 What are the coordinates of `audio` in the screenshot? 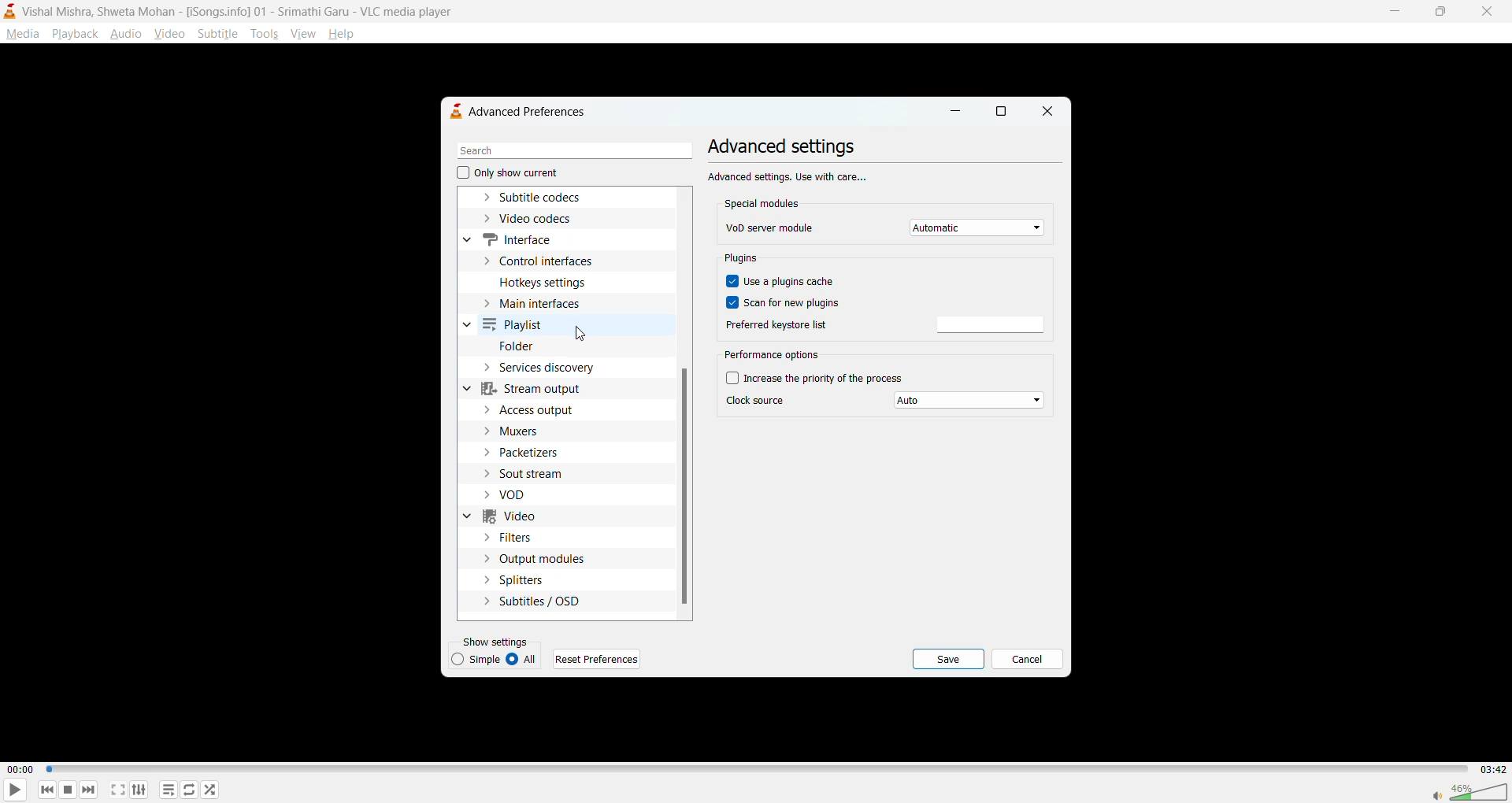 It's located at (126, 33).